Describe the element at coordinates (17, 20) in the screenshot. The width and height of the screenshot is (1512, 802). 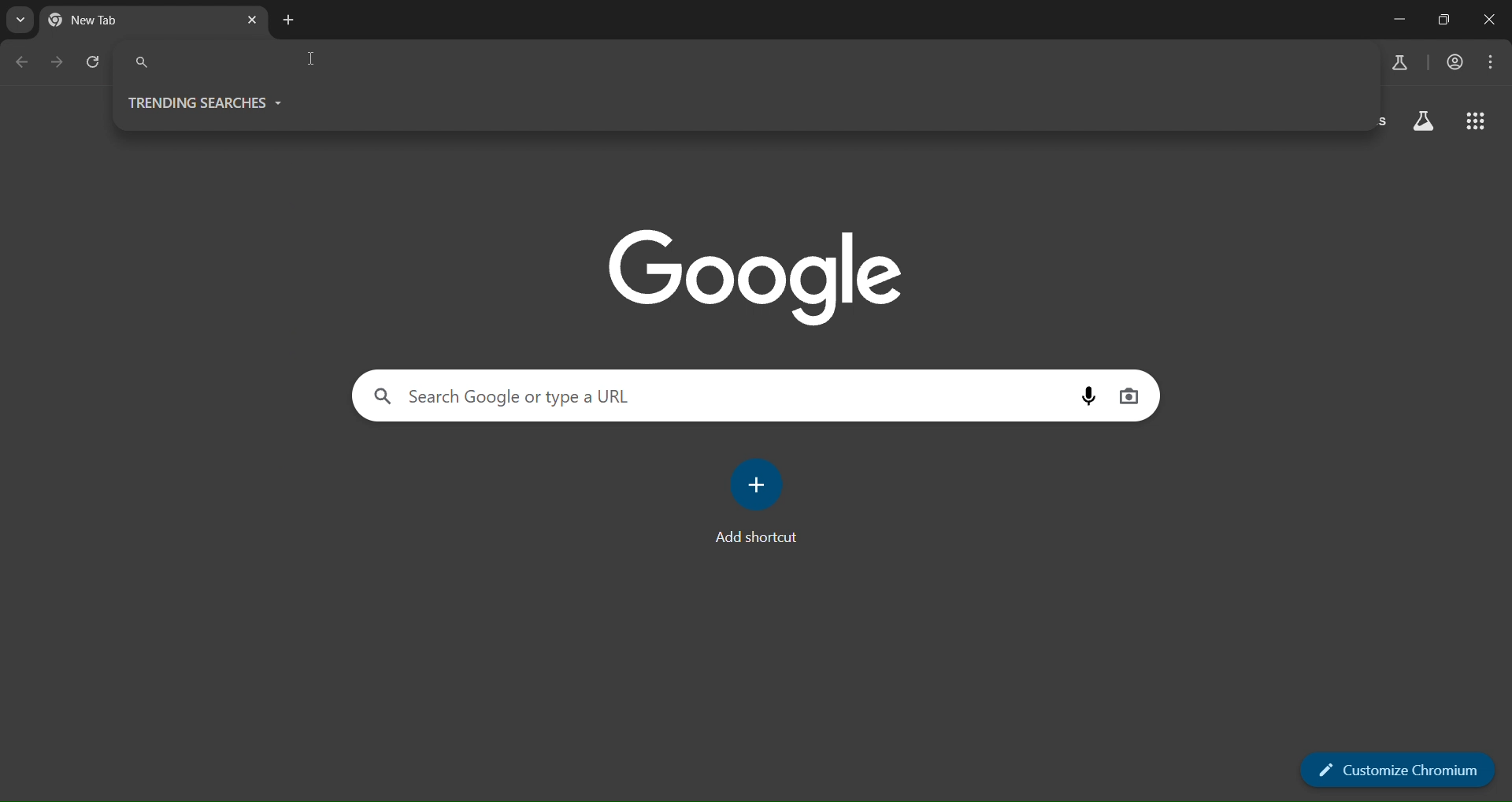
I see `search tabs` at that location.